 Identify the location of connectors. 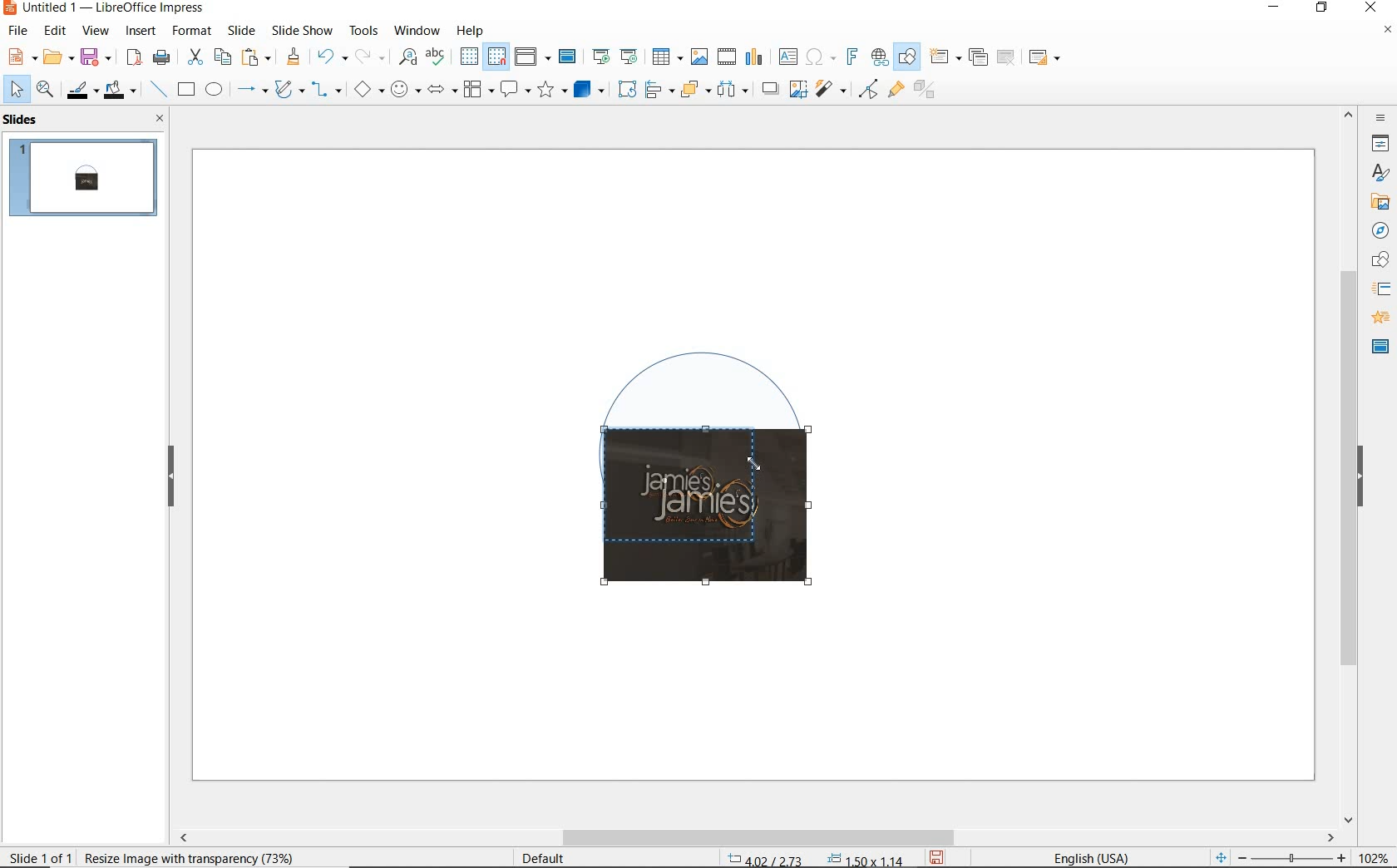
(327, 91).